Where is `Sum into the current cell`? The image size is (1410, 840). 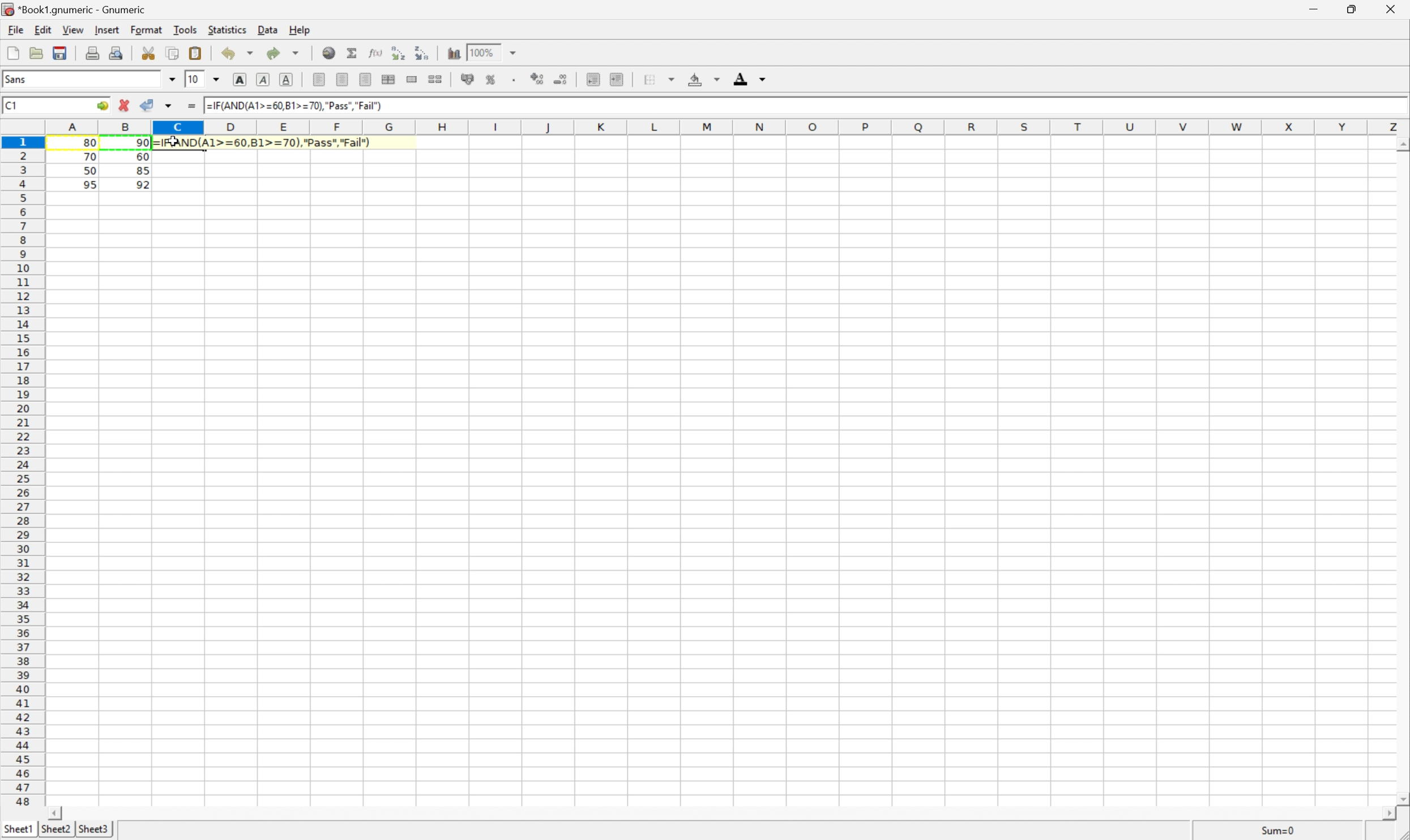 Sum into the current cell is located at coordinates (352, 52).